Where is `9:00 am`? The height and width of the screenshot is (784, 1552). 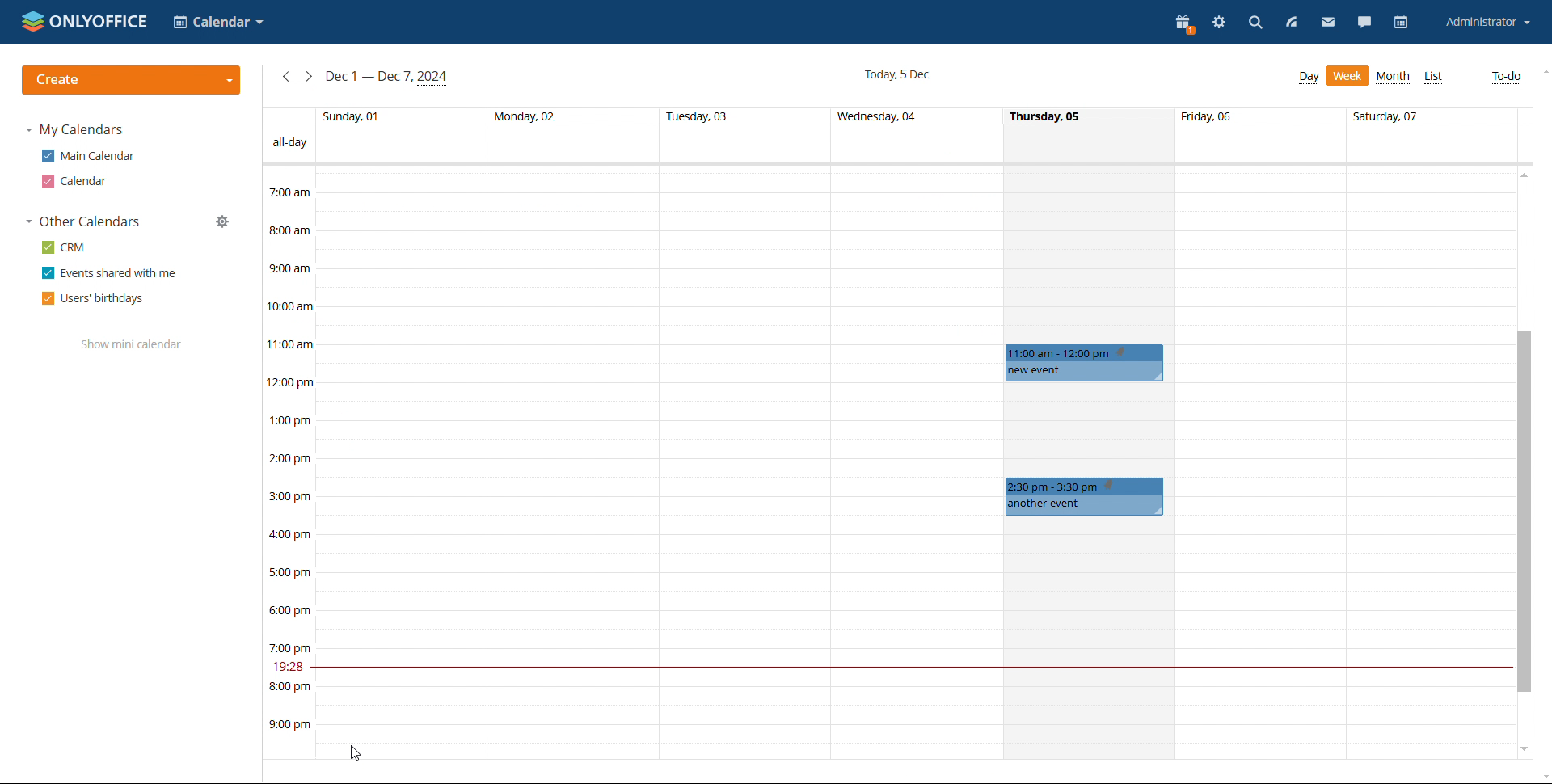
9:00 am is located at coordinates (289, 269).